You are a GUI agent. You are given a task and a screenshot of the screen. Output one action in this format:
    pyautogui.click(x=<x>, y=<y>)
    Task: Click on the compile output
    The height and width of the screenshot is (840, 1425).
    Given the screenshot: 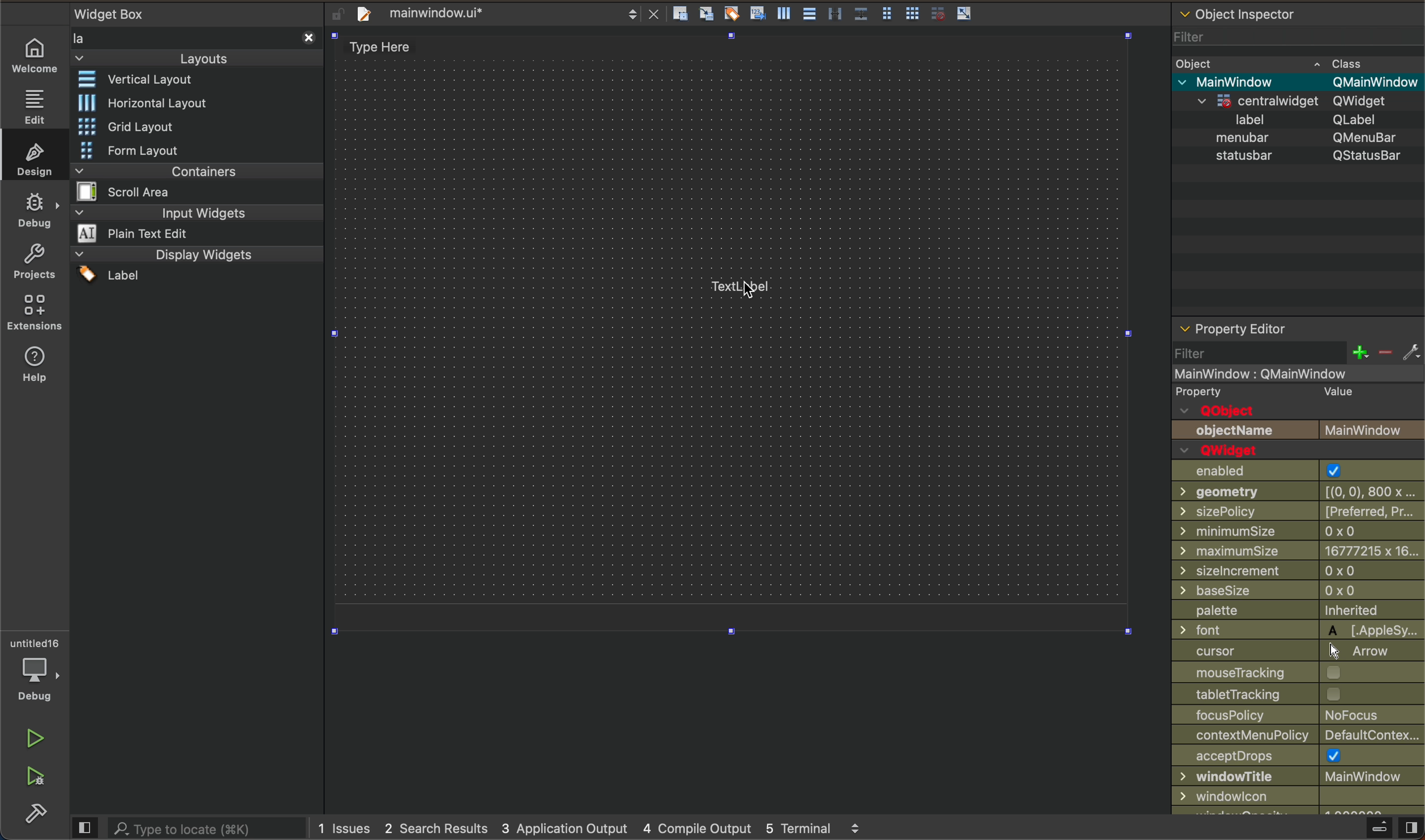 What is the action you would take?
    pyautogui.click(x=696, y=828)
    